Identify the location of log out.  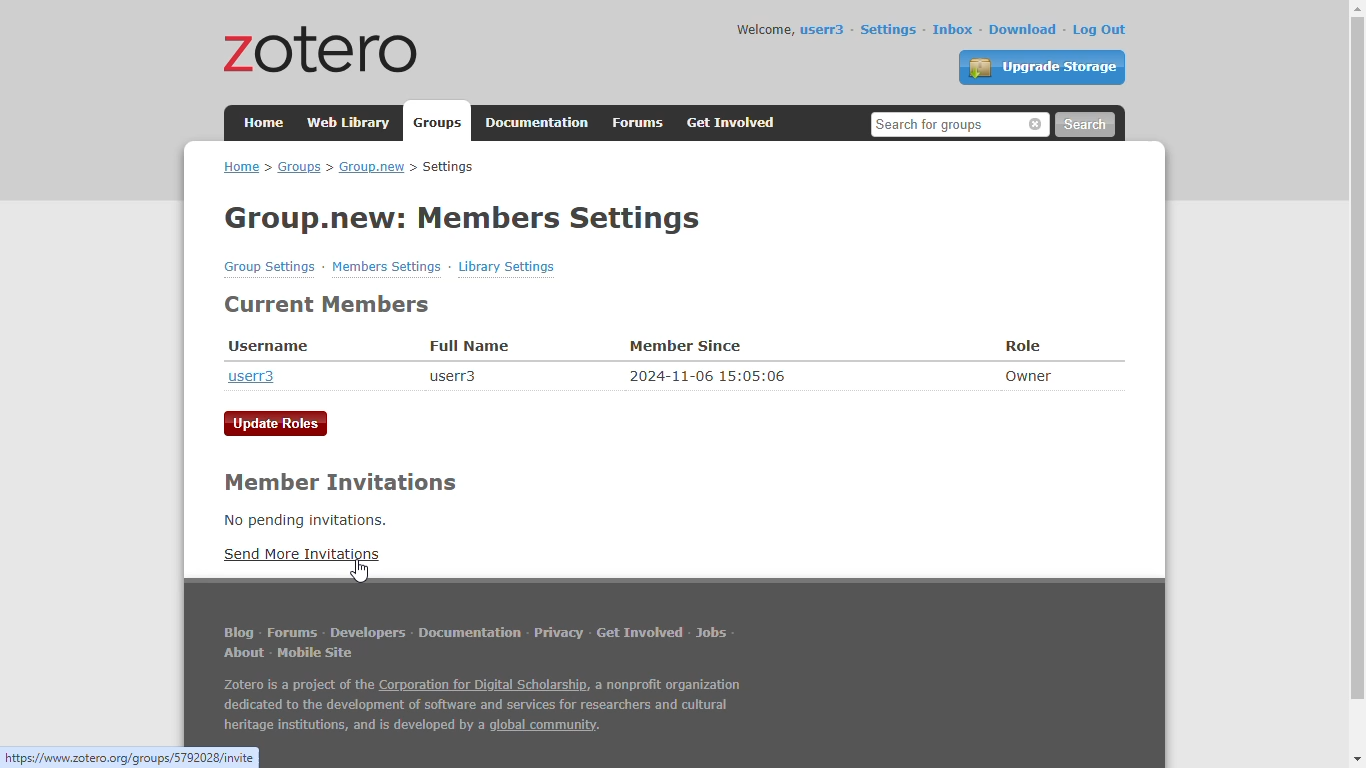
(1100, 30).